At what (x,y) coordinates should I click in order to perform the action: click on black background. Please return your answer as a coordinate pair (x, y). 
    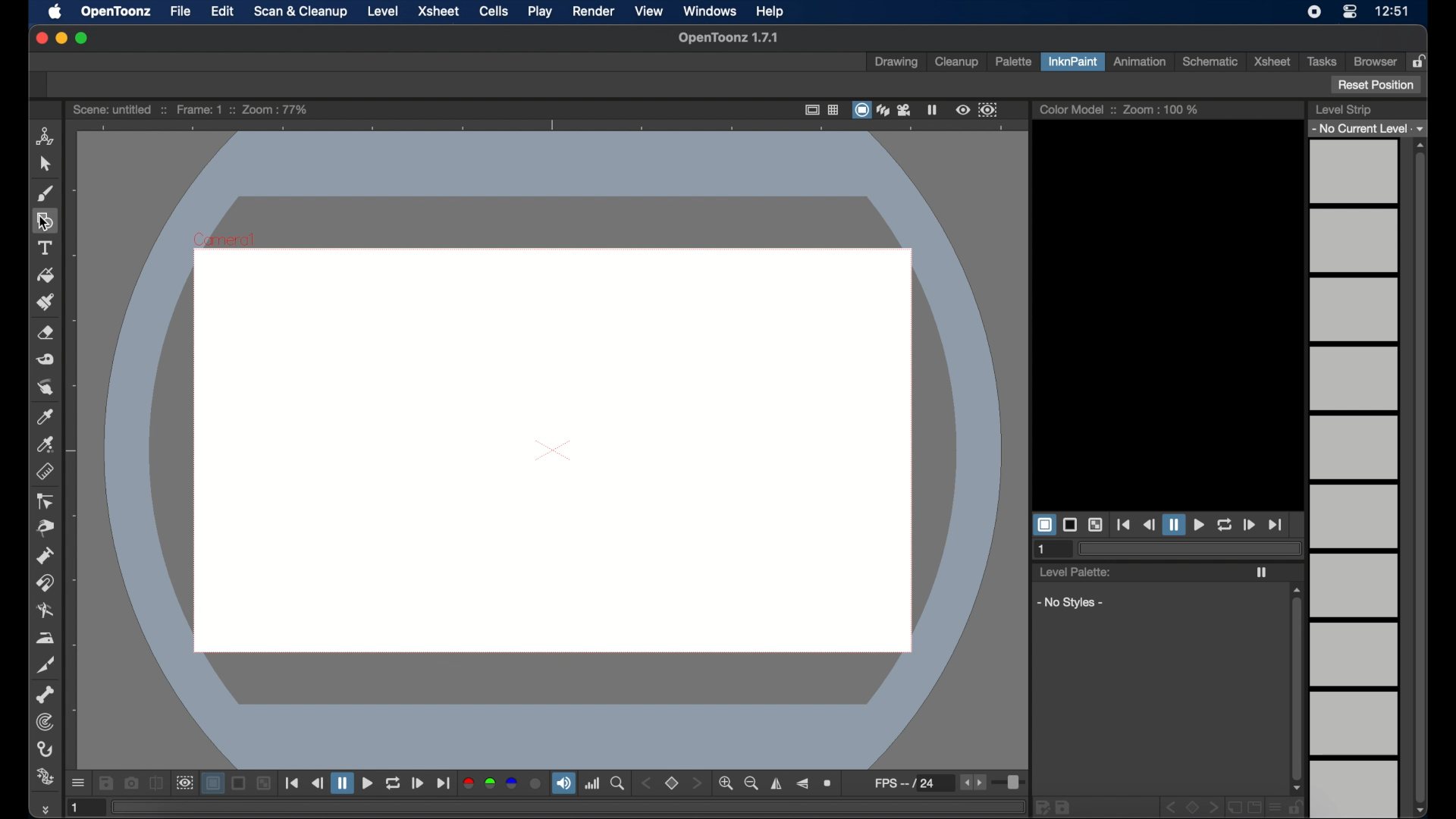
    Looking at the image, I should click on (1070, 524).